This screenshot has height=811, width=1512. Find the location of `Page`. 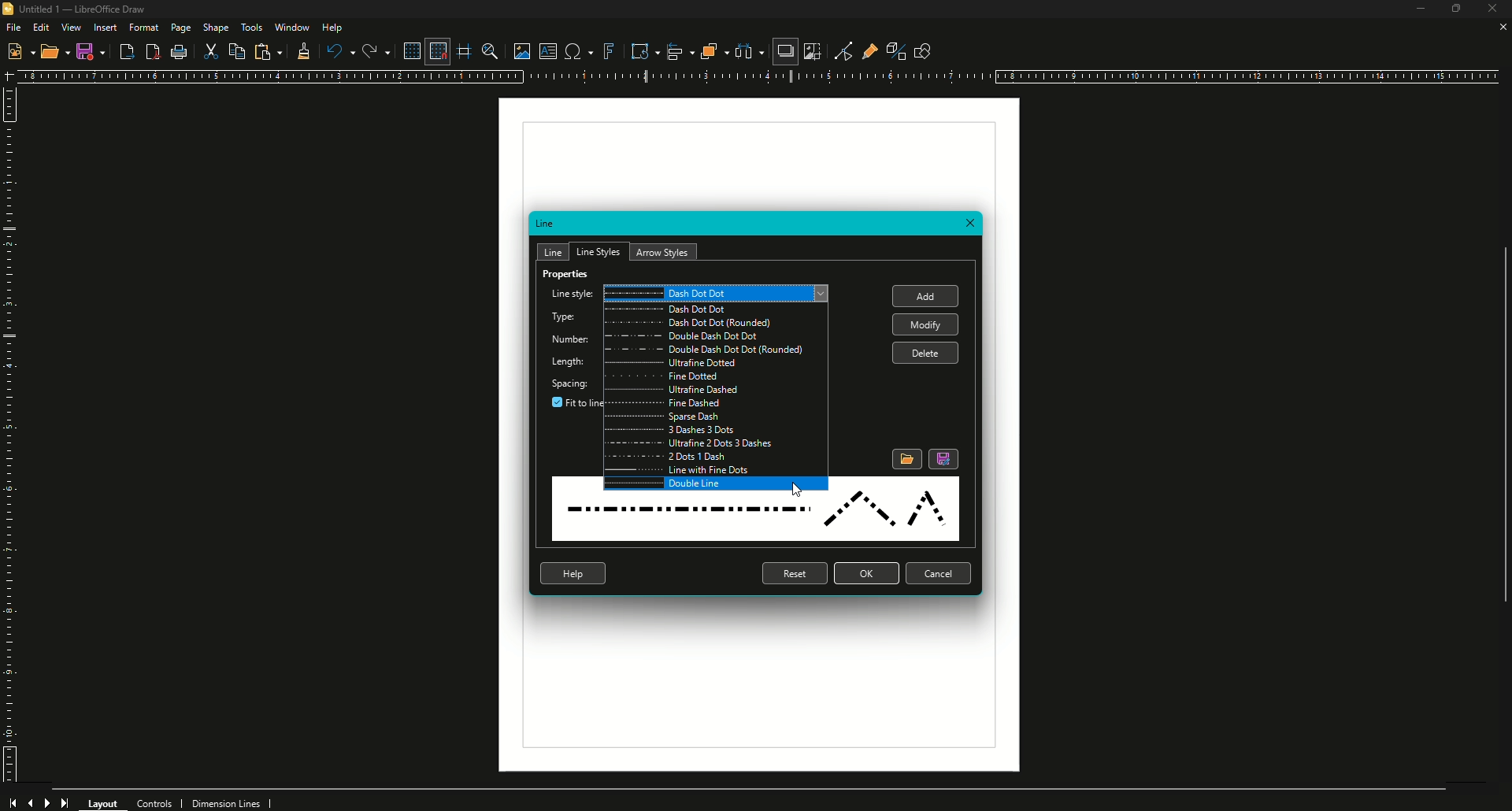

Page is located at coordinates (180, 29).